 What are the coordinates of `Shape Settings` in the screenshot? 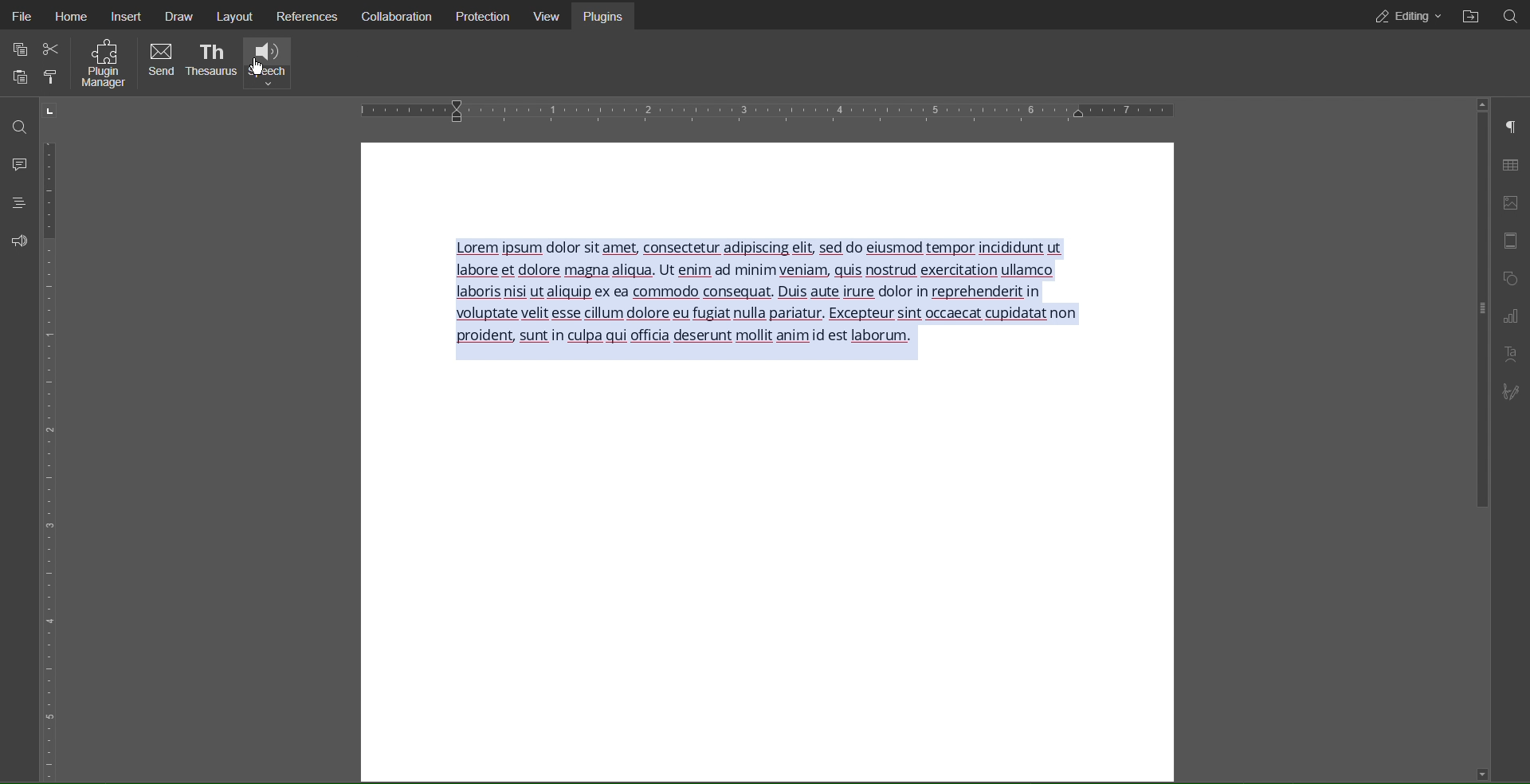 It's located at (1512, 278).